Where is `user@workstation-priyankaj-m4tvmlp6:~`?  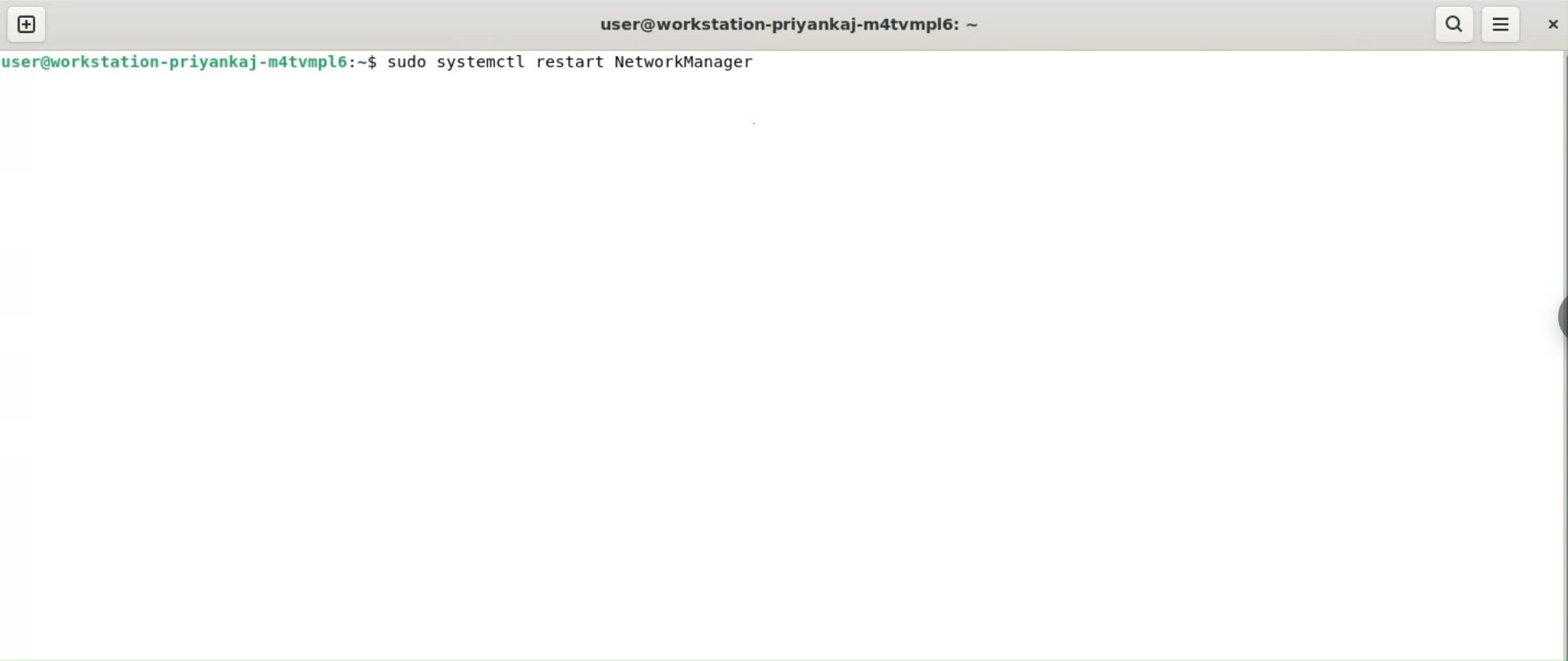
user@workstation-priyankaj-m4tvmlp6:~ is located at coordinates (797, 23).